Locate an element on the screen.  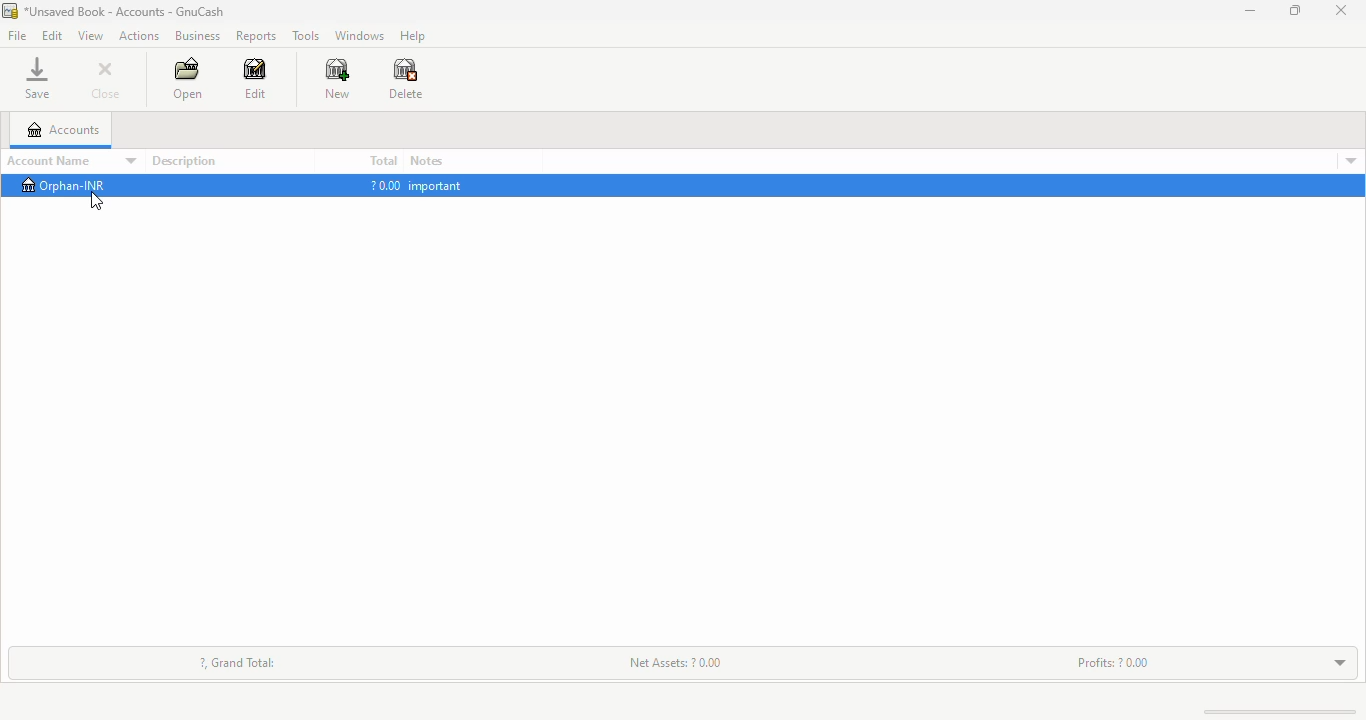
important is located at coordinates (435, 186).